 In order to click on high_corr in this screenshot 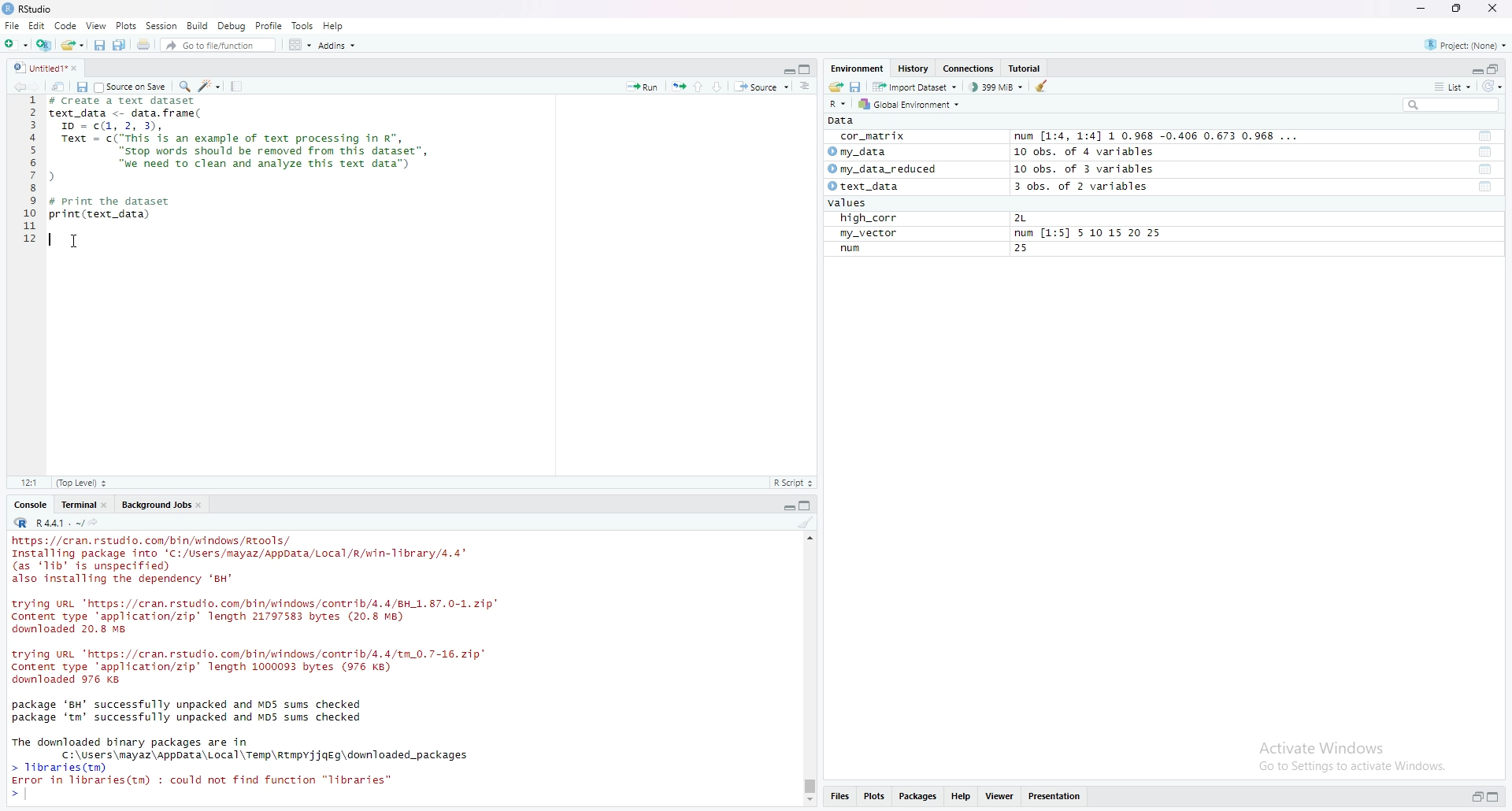, I will do `click(864, 218)`.